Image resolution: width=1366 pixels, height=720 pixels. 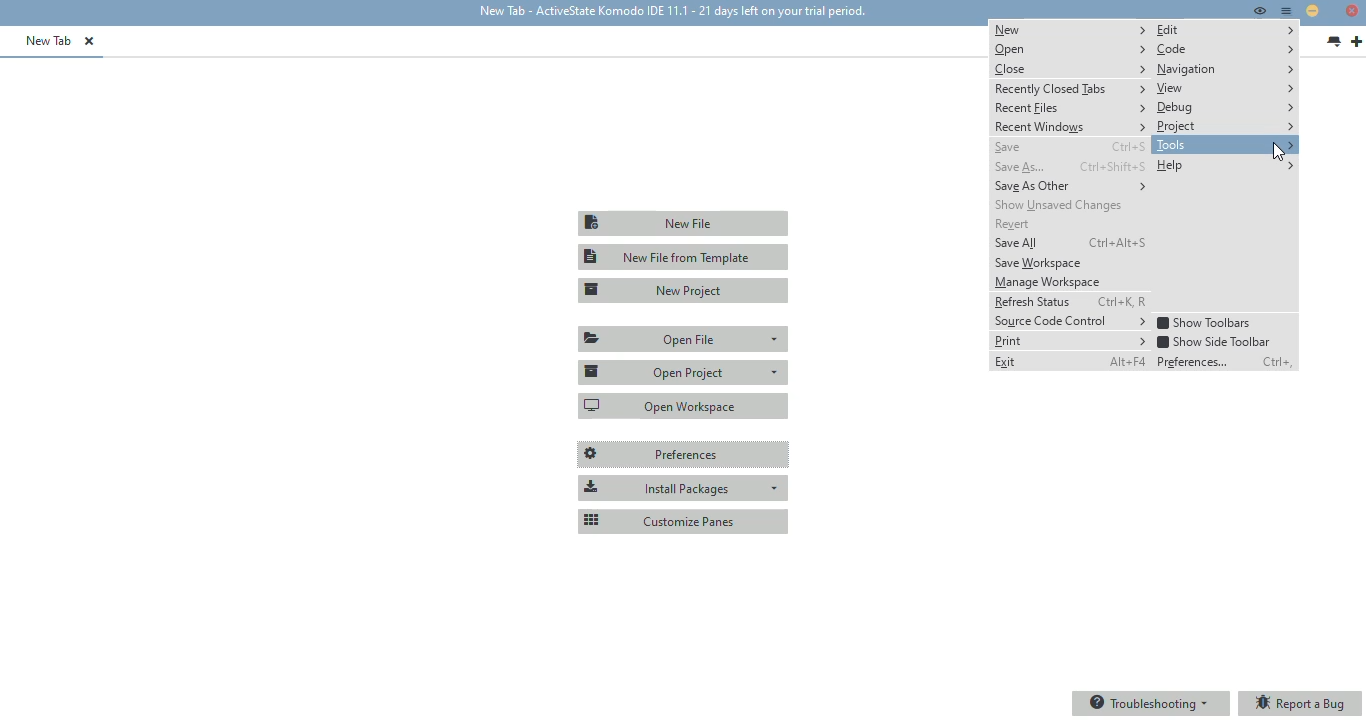 What do you see at coordinates (682, 223) in the screenshot?
I see `new file` at bounding box center [682, 223].